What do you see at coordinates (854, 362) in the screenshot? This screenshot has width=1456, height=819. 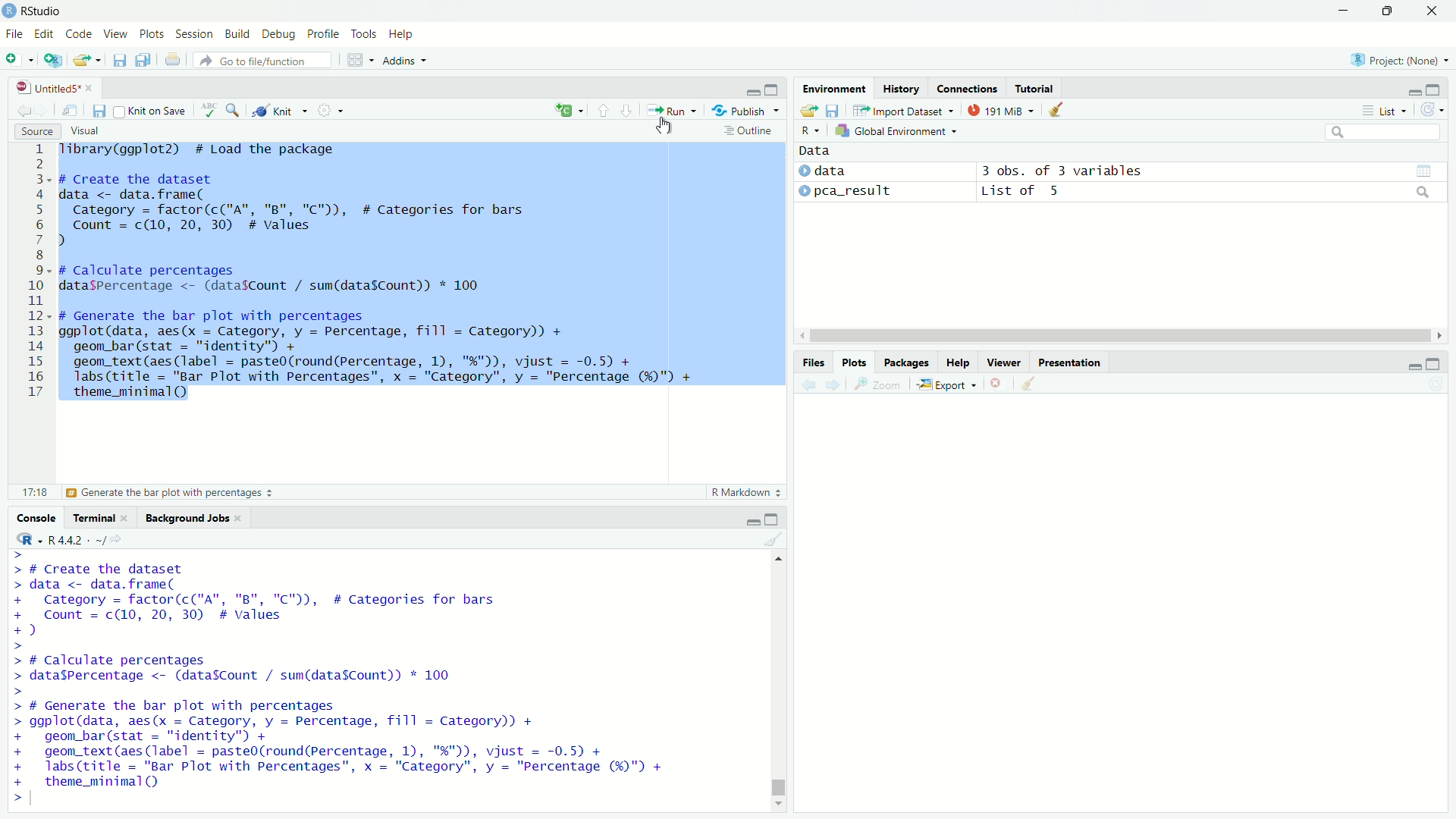 I see `Plots` at bounding box center [854, 362].